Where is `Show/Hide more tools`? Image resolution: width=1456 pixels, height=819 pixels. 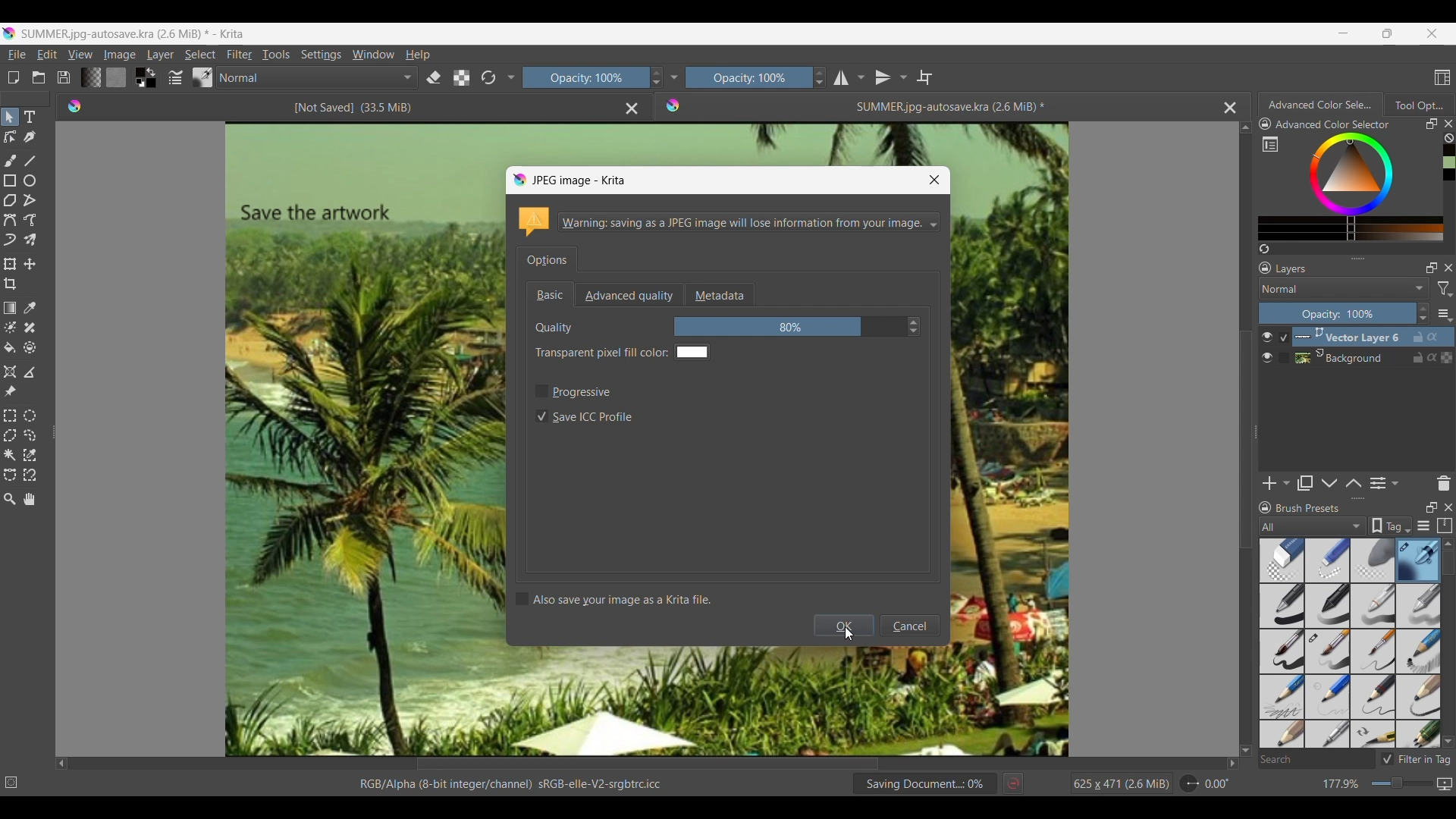
Show/Hide more tools is located at coordinates (512, 78).